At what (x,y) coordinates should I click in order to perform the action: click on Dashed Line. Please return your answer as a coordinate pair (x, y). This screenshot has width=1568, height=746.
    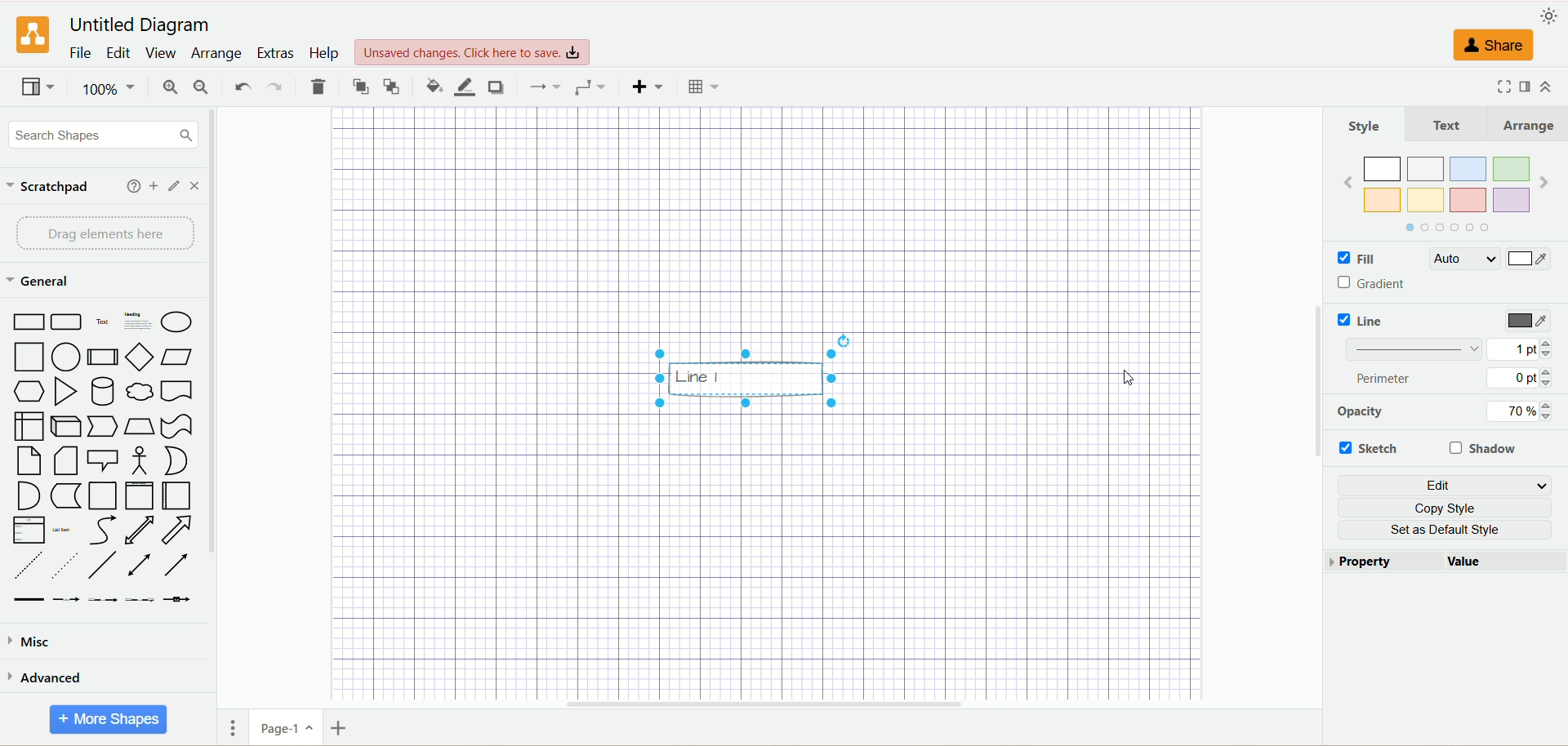
    Looking at the image, I should click on (28, 565).